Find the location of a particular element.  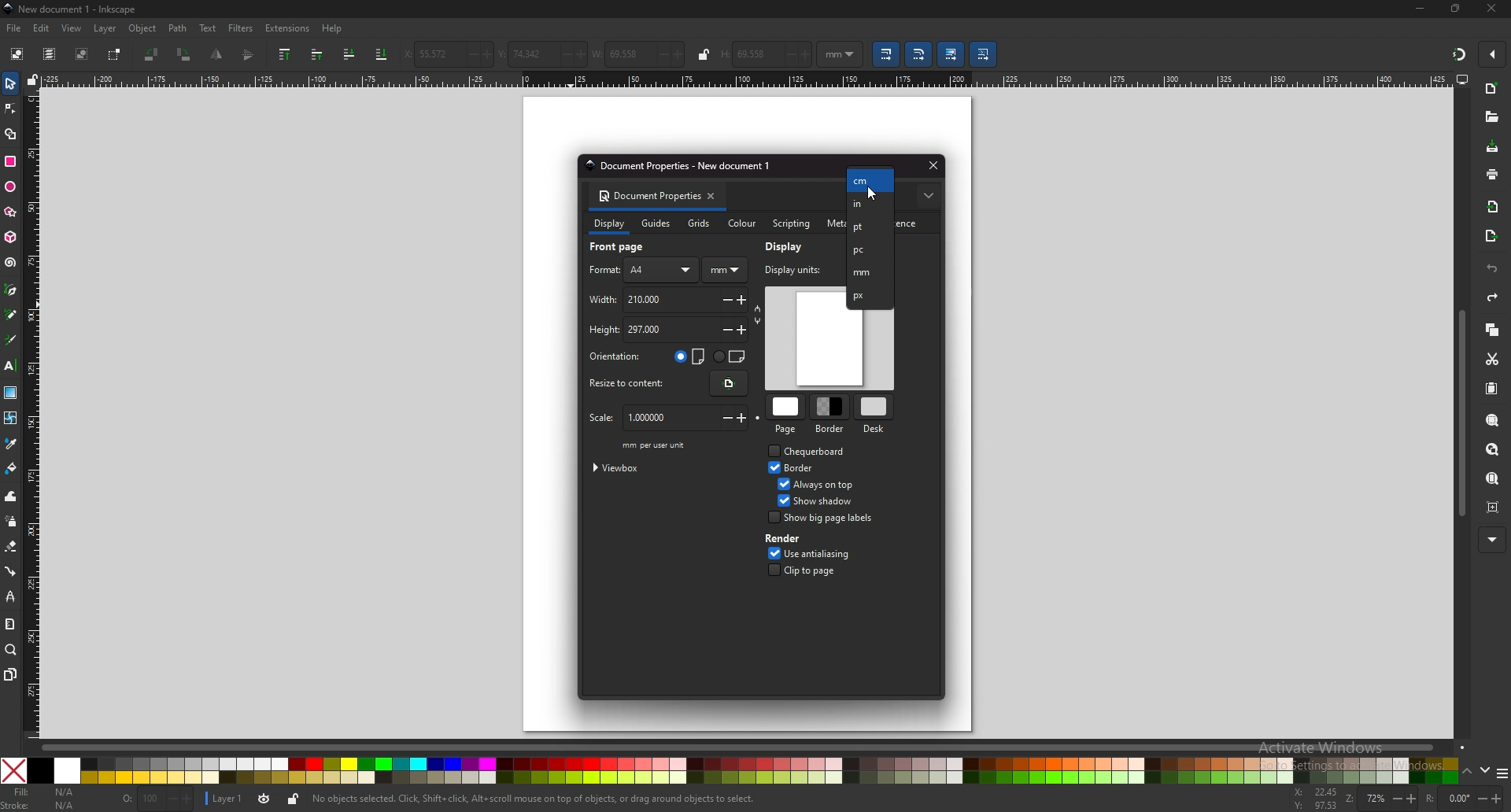

AA is located at coordinates (663, 270).